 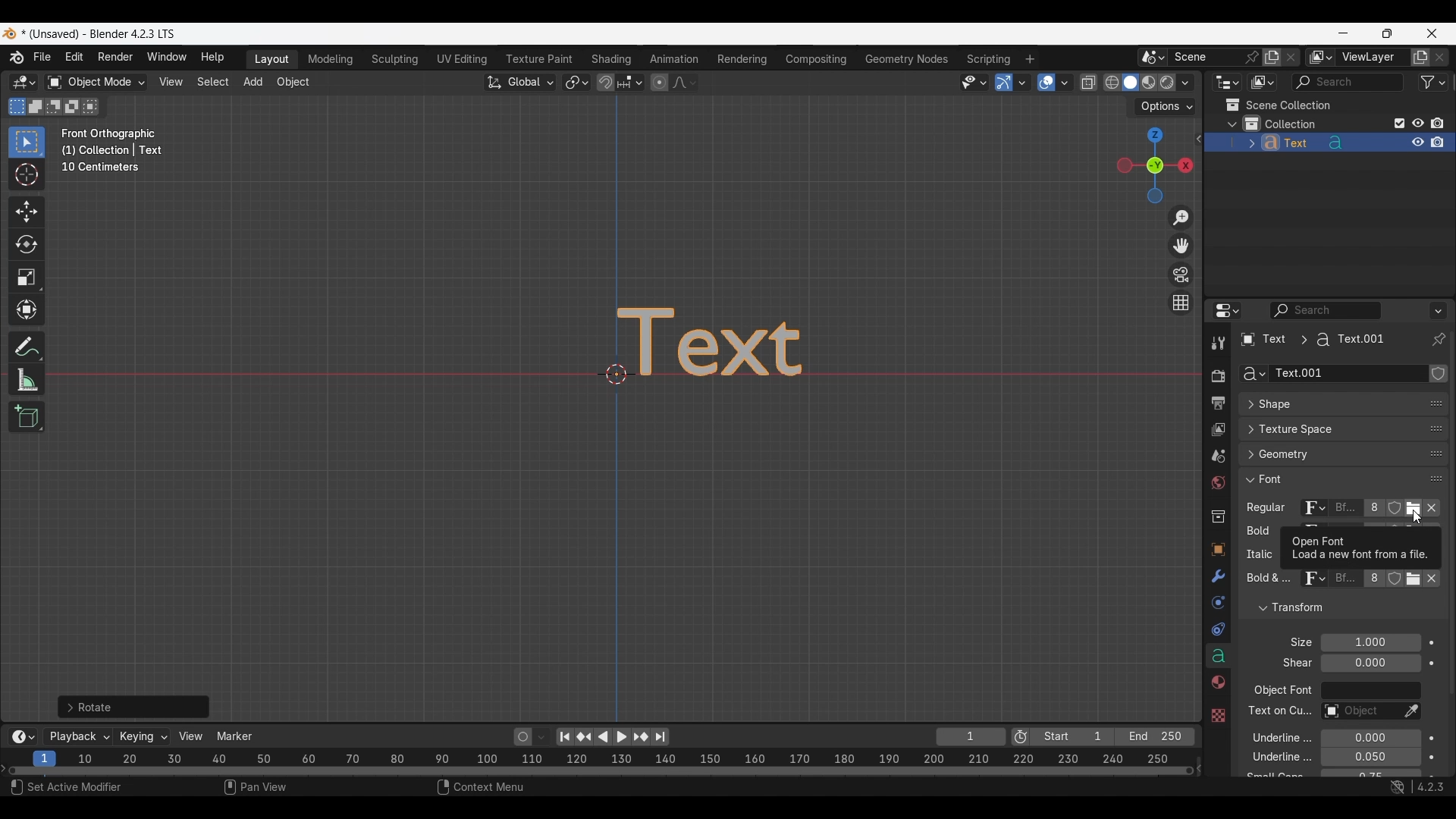 What do you see at coordinates (1218, 656) in the screenshot?
I see `Data, current selection` at bounding box center [1218, 656].